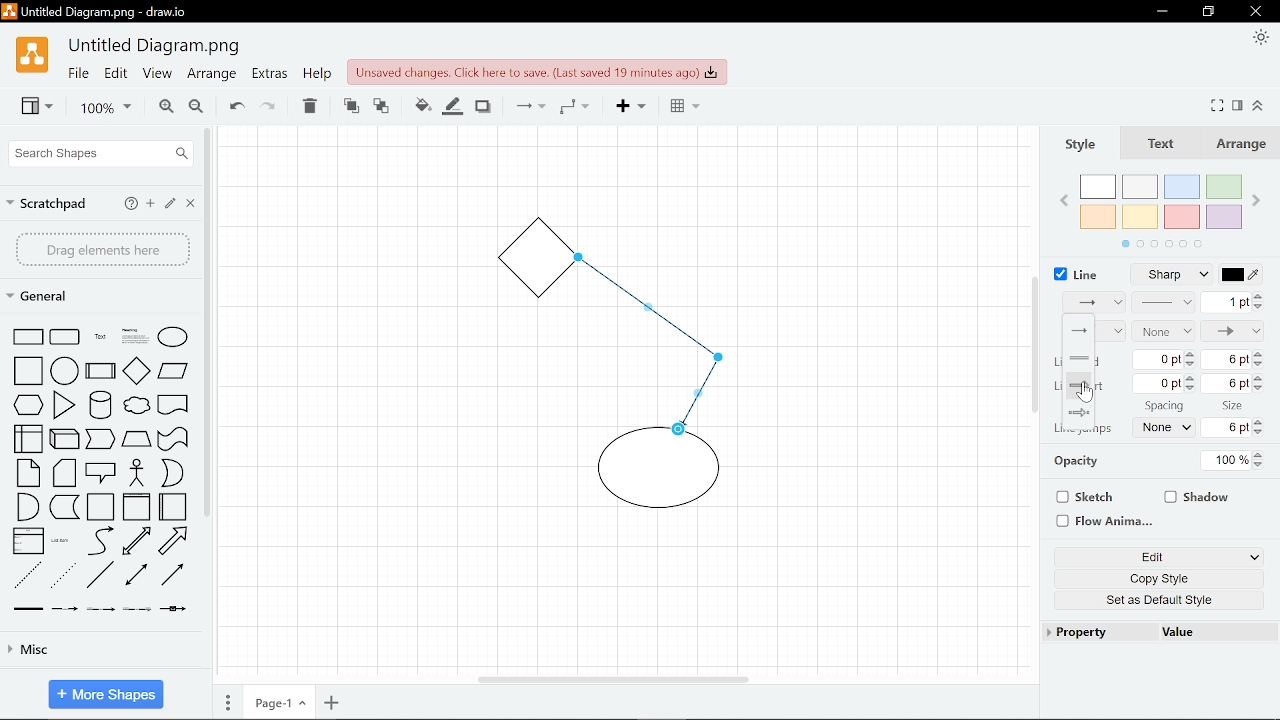 This screenshot has width=1280, height=720. What do you see at coordinates (228, 703) in the screenshot?
I see `pages` at bounding box center [228, 703].